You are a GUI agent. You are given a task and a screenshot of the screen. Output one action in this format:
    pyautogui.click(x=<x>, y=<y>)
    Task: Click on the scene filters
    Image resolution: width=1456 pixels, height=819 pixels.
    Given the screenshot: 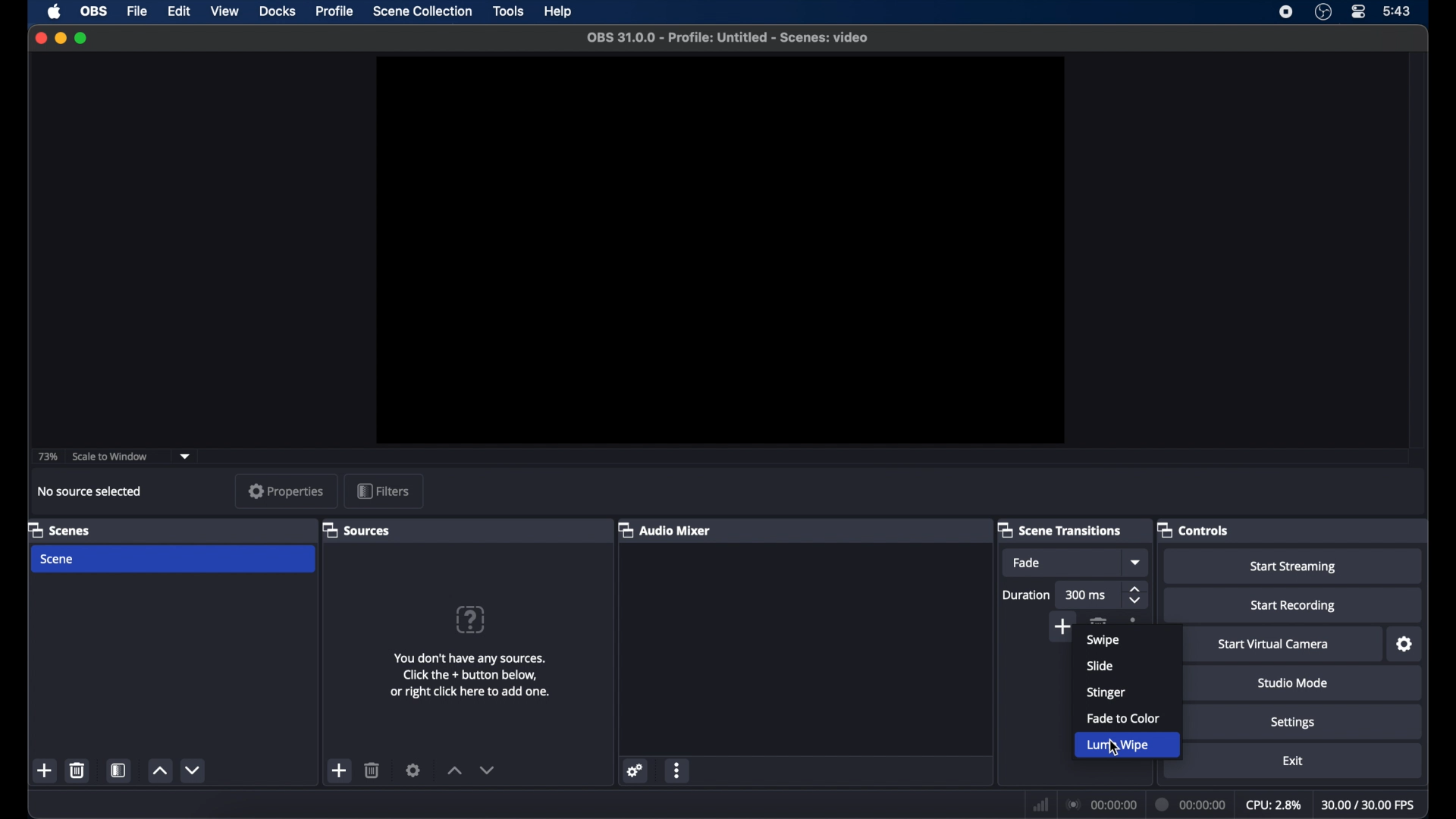 What is the action you would take?
    pyautogui.click(x=118, y=770)
    